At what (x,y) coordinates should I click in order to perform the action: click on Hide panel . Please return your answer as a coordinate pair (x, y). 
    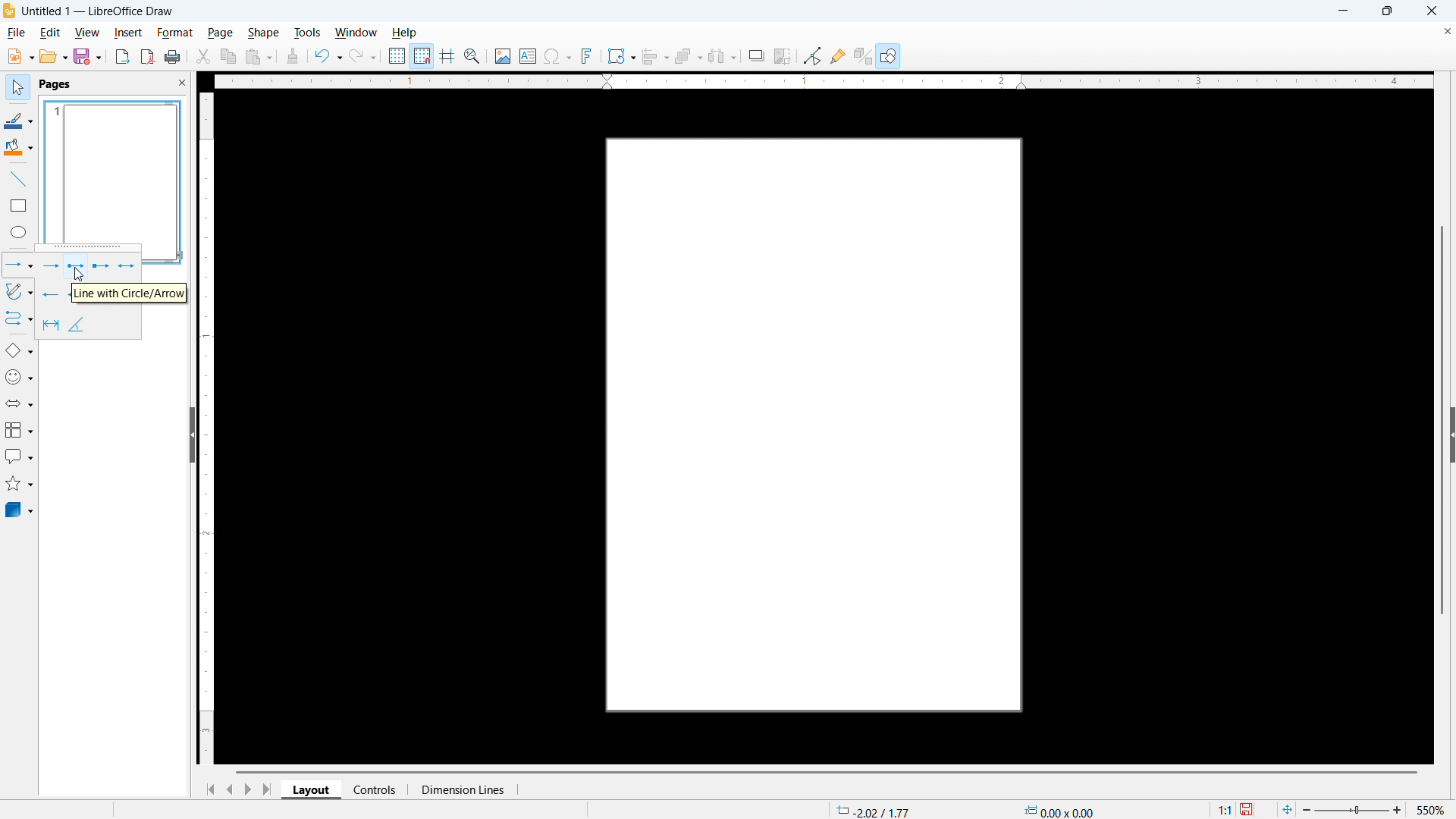
    Looking at the image, I should click on (191, 432).